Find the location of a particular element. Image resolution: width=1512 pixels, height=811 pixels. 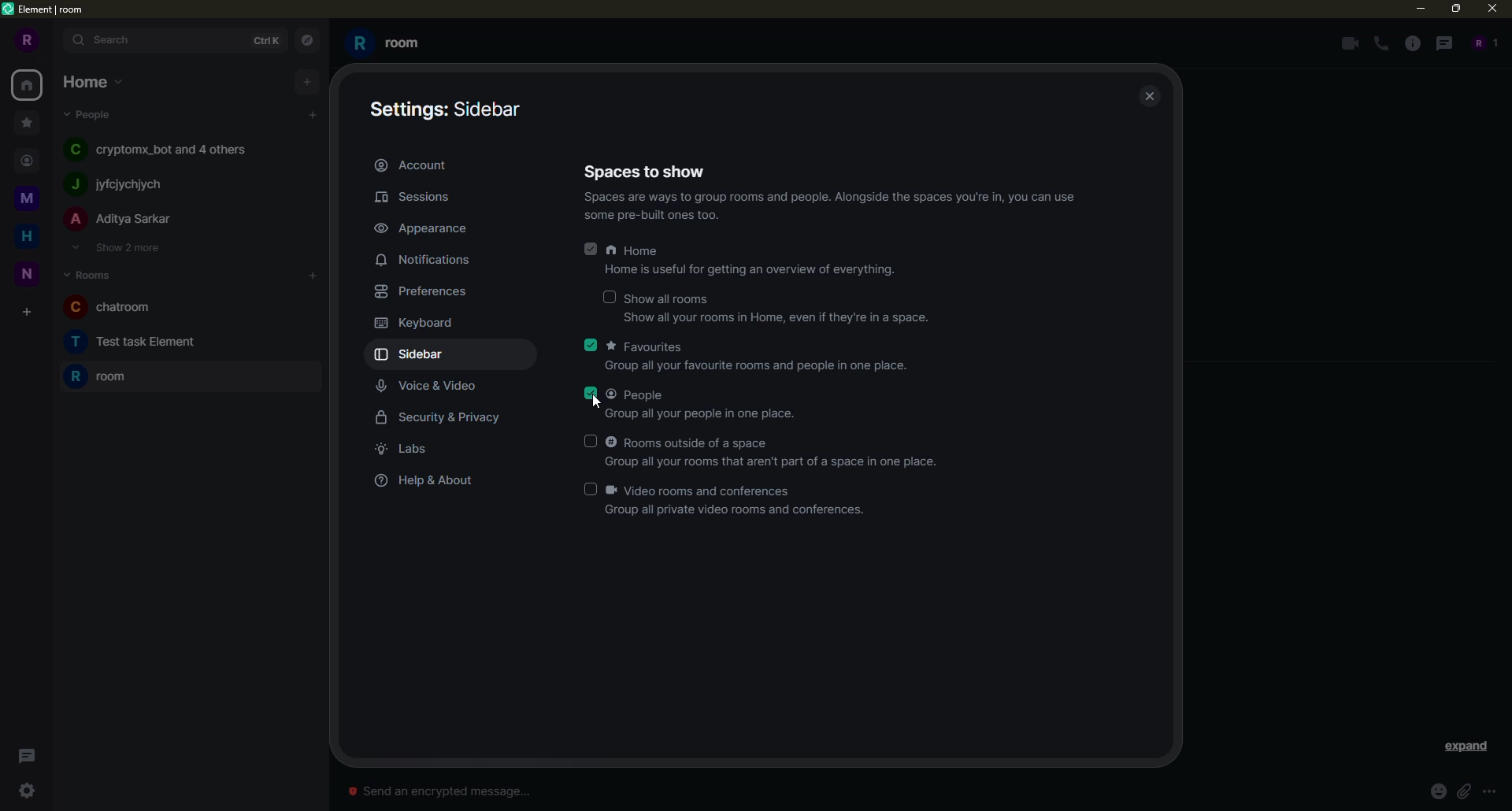

add is located at coordinates (313, 113).